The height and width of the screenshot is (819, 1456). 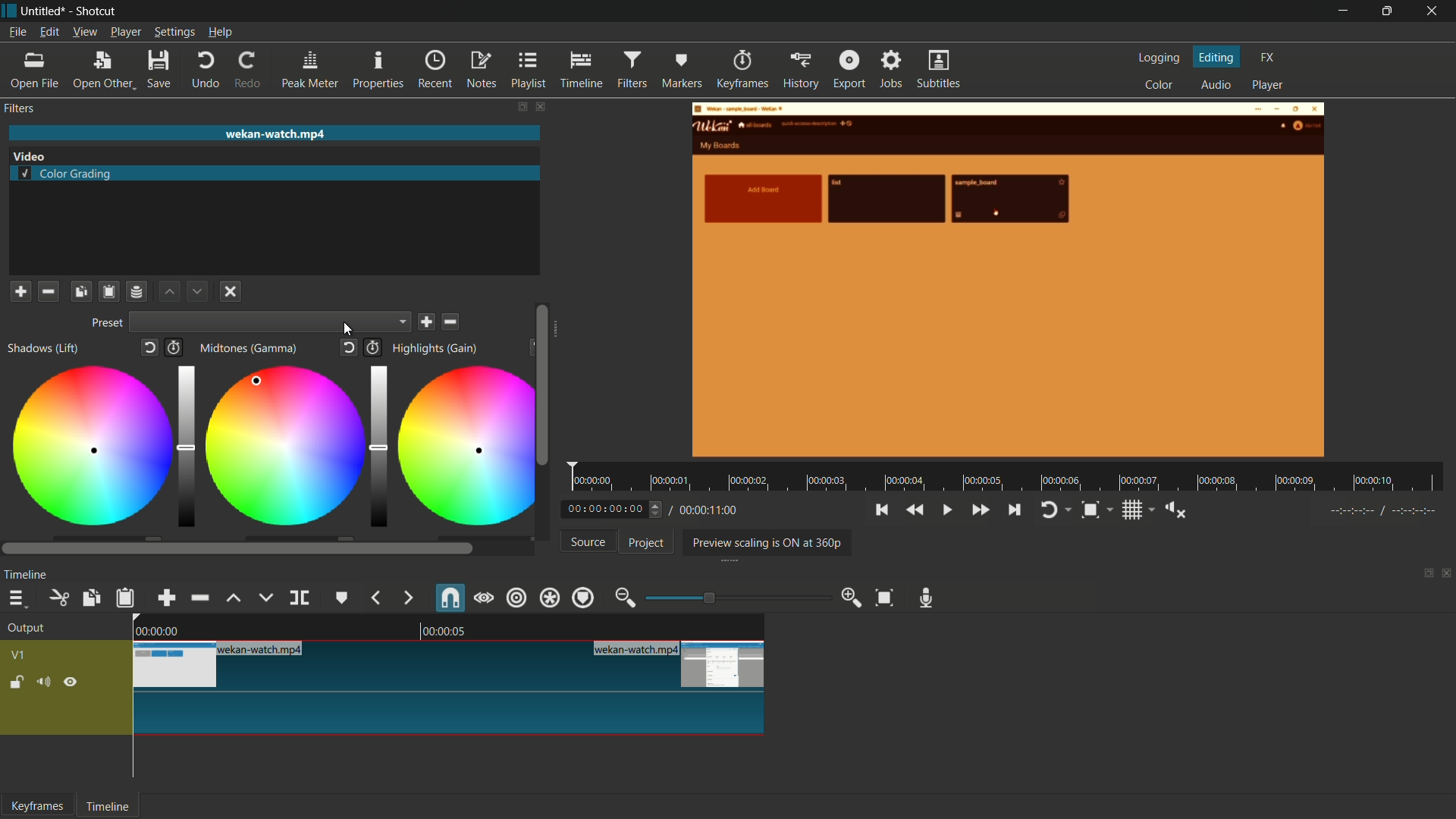 I want to click on view menu, so click(x=85, y=33).